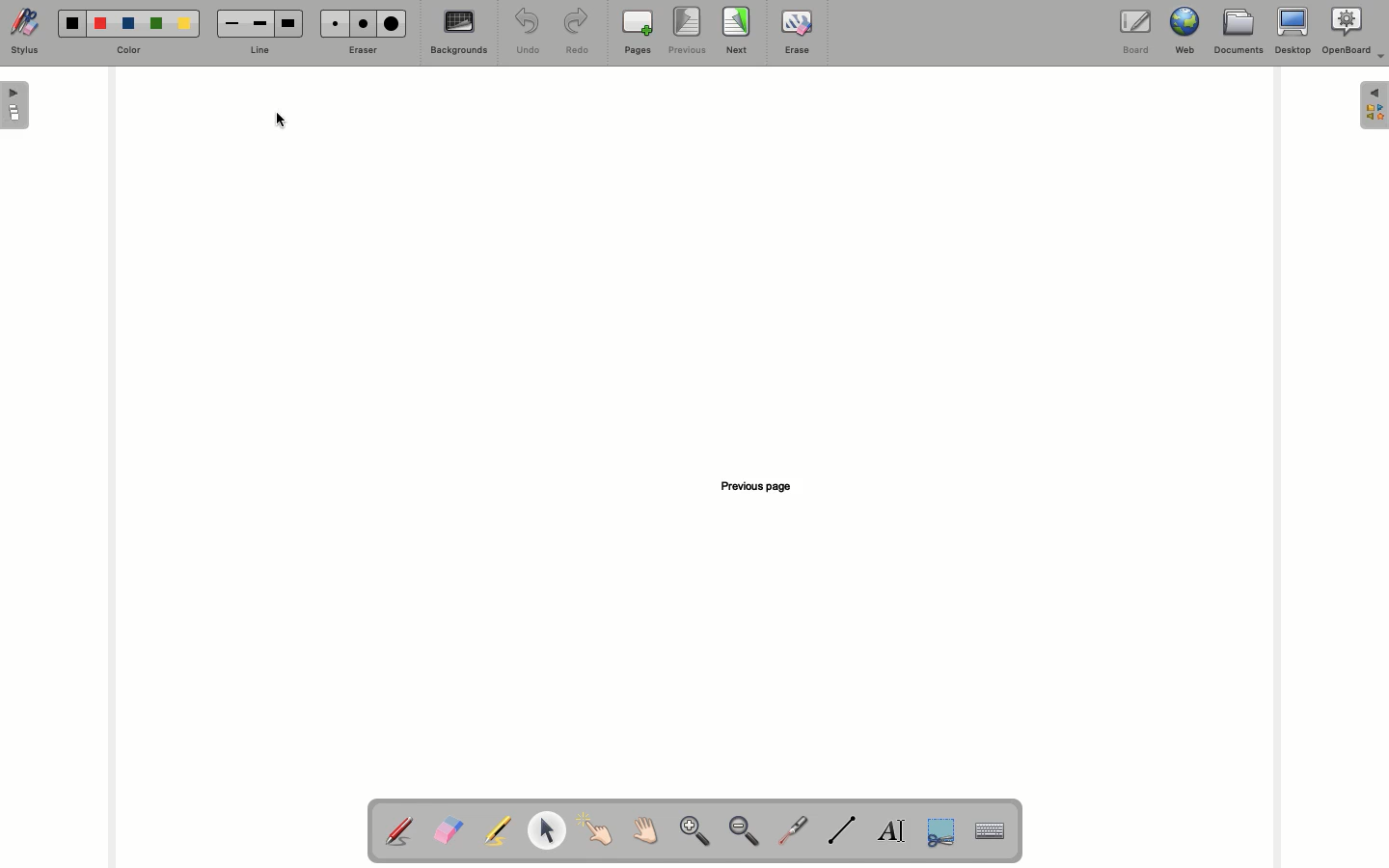  What do you see at coordinates (288, 24) in the screenshot?
I see `Large line` at bounding box center [288, 24].